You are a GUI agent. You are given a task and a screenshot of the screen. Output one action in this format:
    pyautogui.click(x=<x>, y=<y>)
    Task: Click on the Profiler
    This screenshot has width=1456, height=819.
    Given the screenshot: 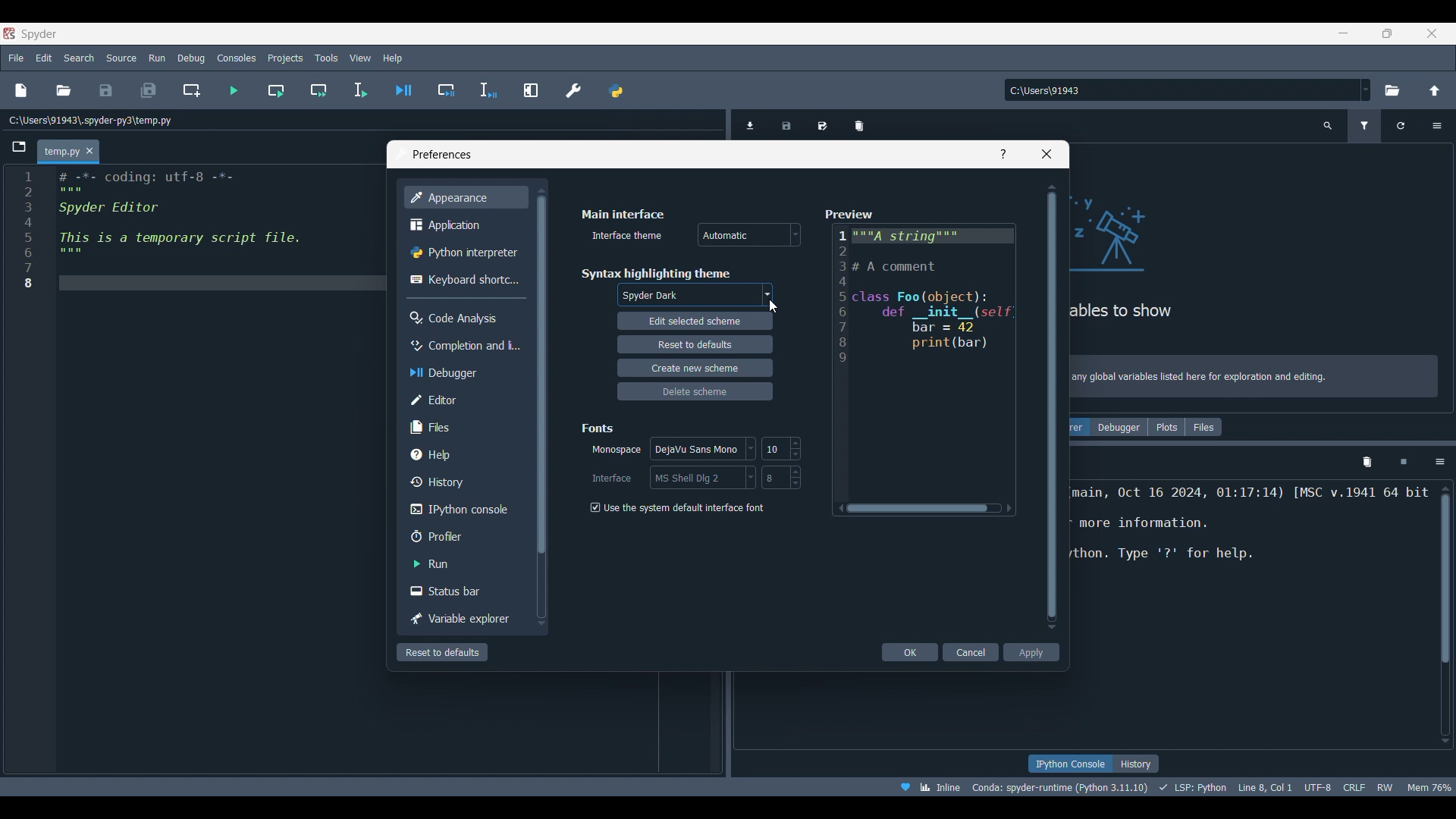 What is the action you would take?
    pyautogui.click(x=463, y=536)
    